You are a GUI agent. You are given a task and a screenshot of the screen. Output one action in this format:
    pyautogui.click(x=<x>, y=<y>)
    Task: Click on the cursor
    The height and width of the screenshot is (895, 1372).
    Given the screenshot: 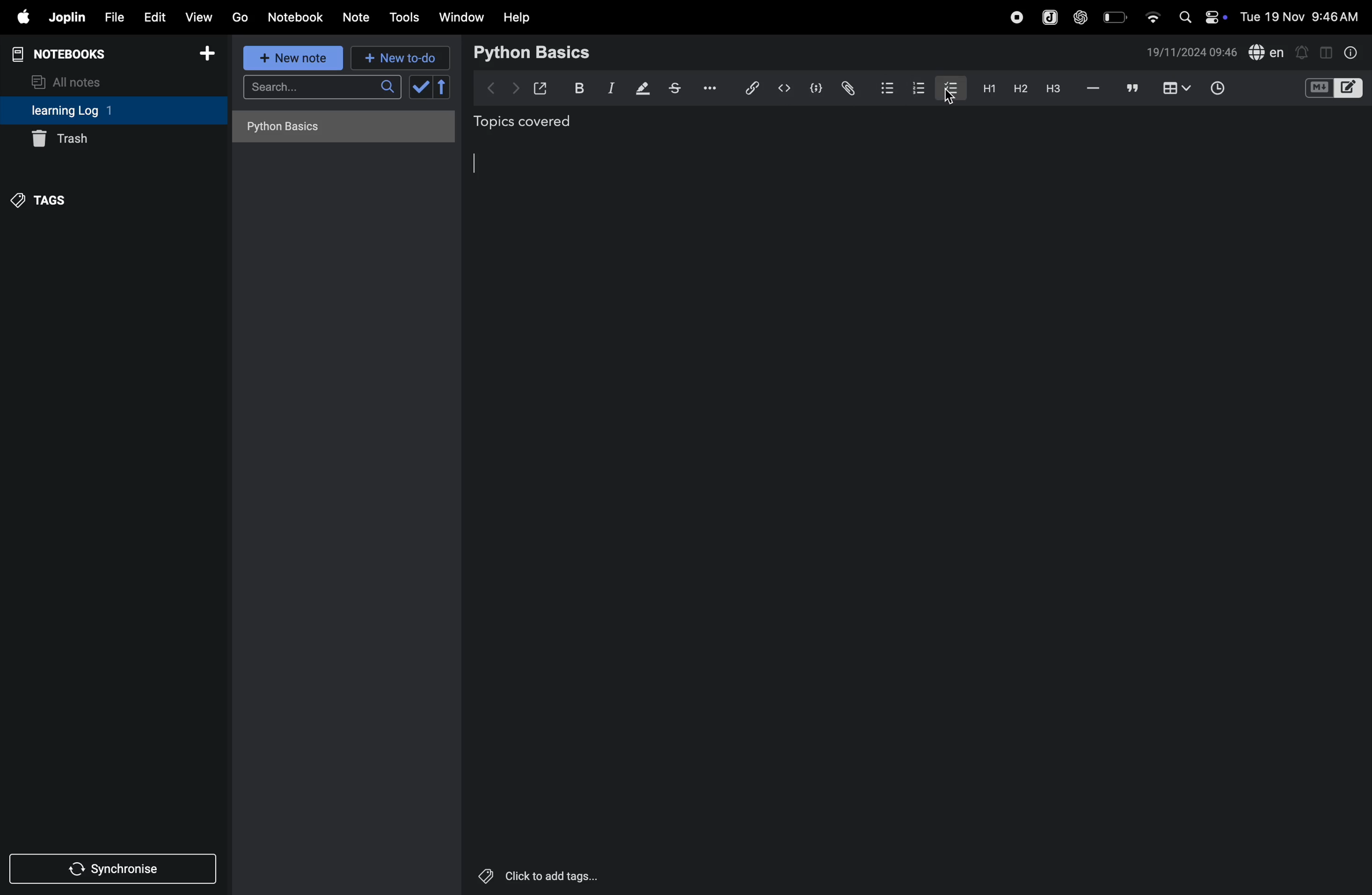 What is the action you would take?
    pyautogui.click(x=482, y=163)
    